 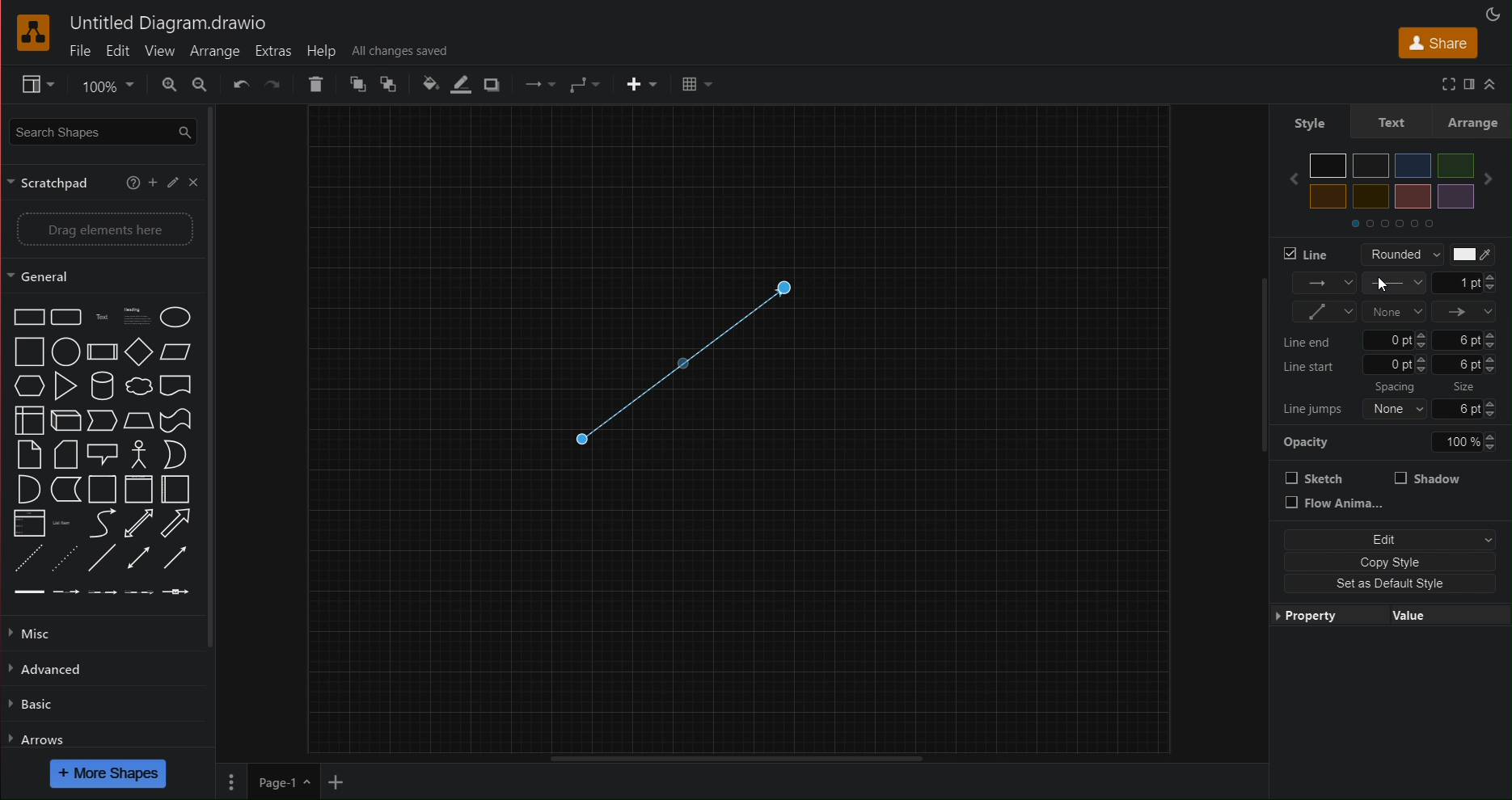 What do you see at coordinates (273, 51) in the screenshot?
I see `Extras` at bounding box center [273, 51].